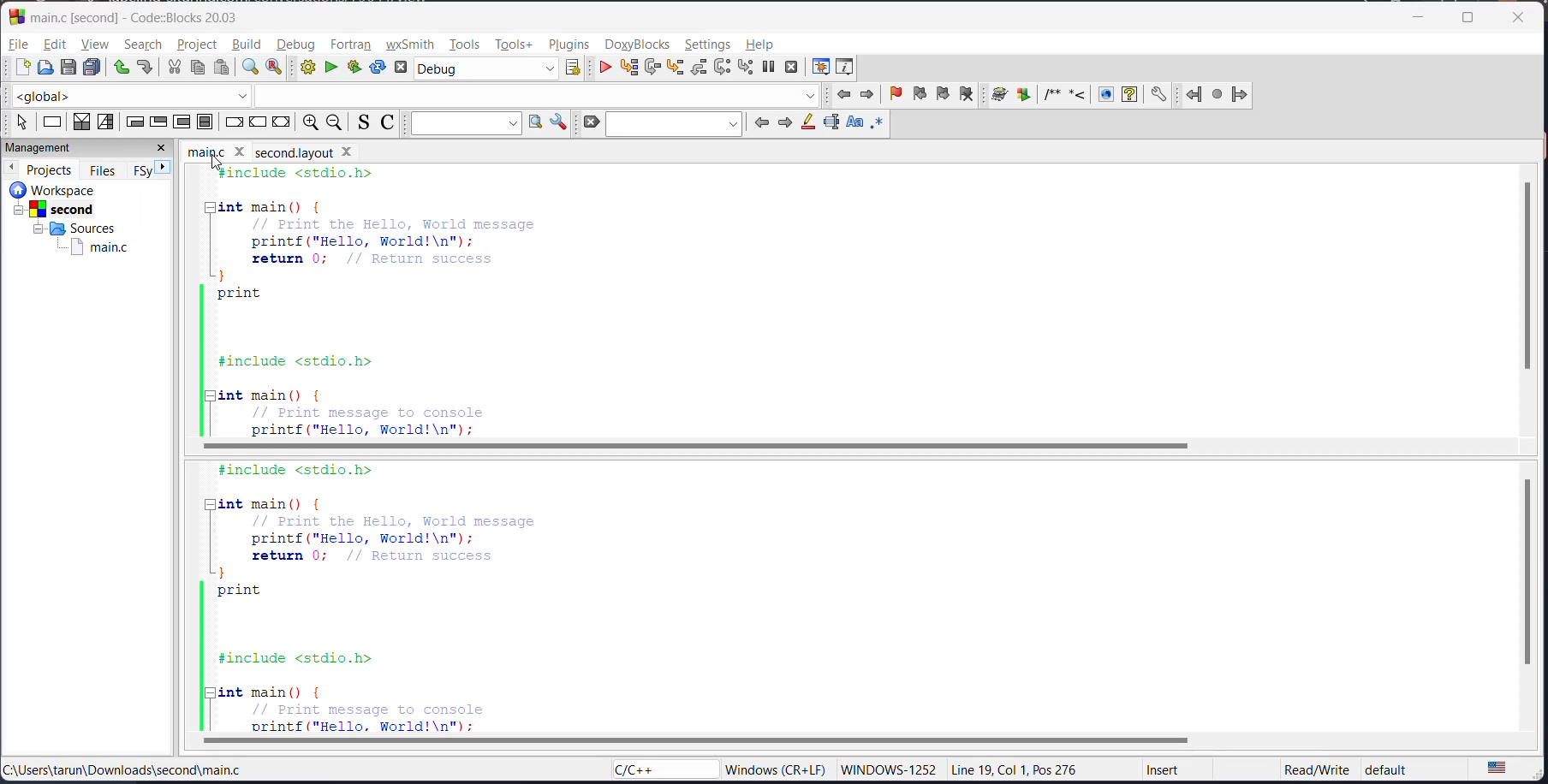 The image size is (1548, 784). Describe the element at coordinates (877, 124) in the screenshot. I see `use regex` at that location.